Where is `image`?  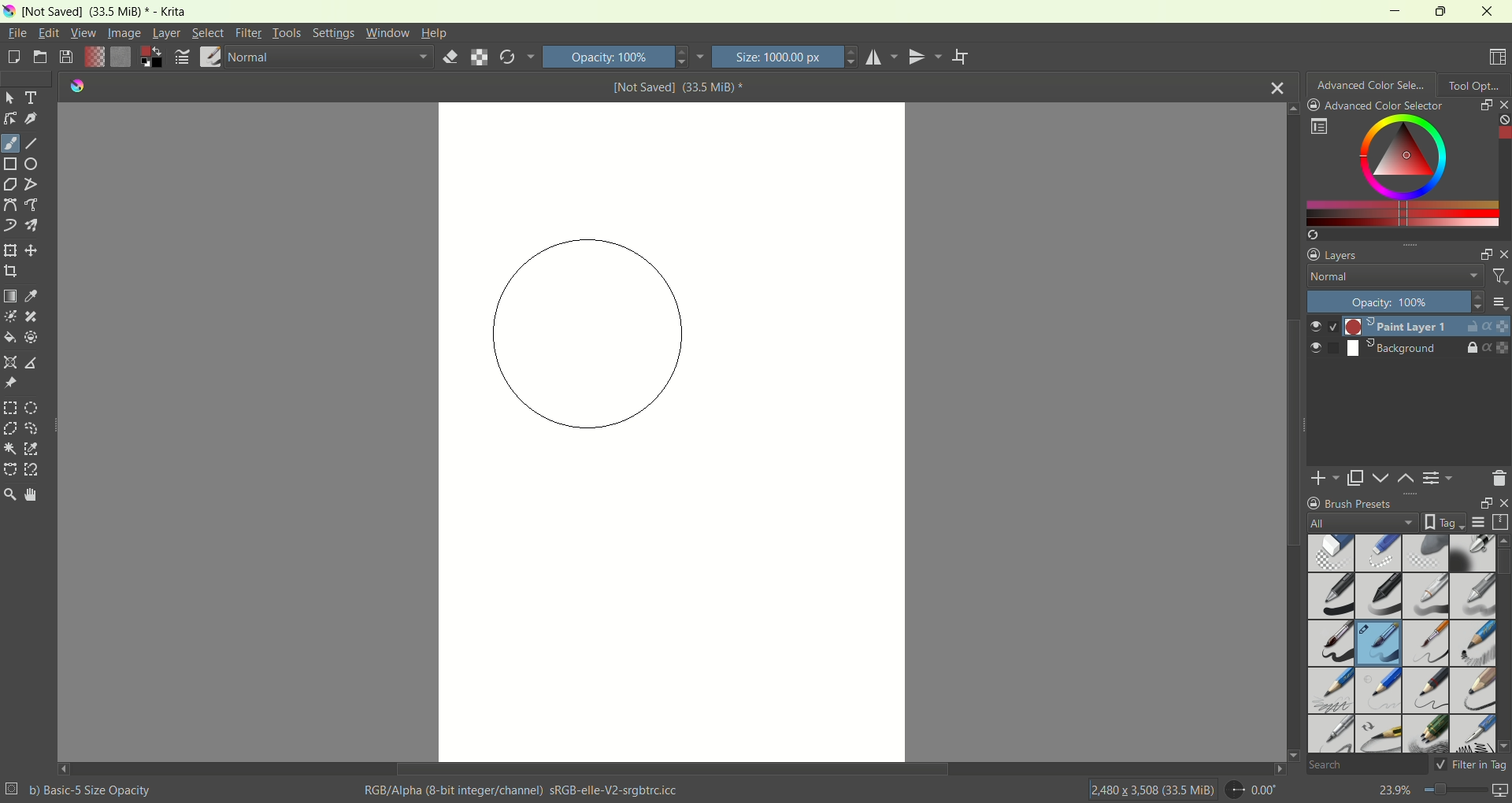 image is located at coordinates (126, 33).